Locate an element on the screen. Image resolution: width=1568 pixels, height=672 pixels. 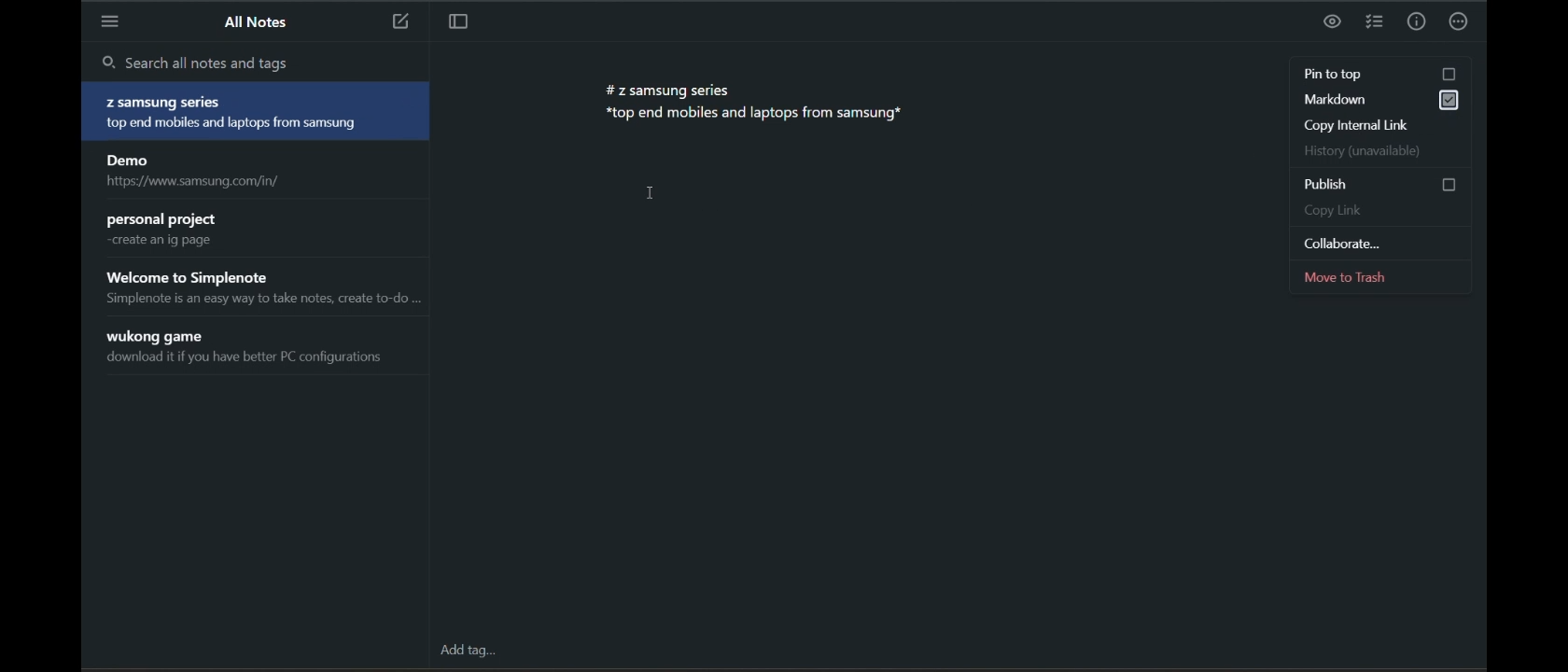
move to trash is located at coordinates (1379, 277).